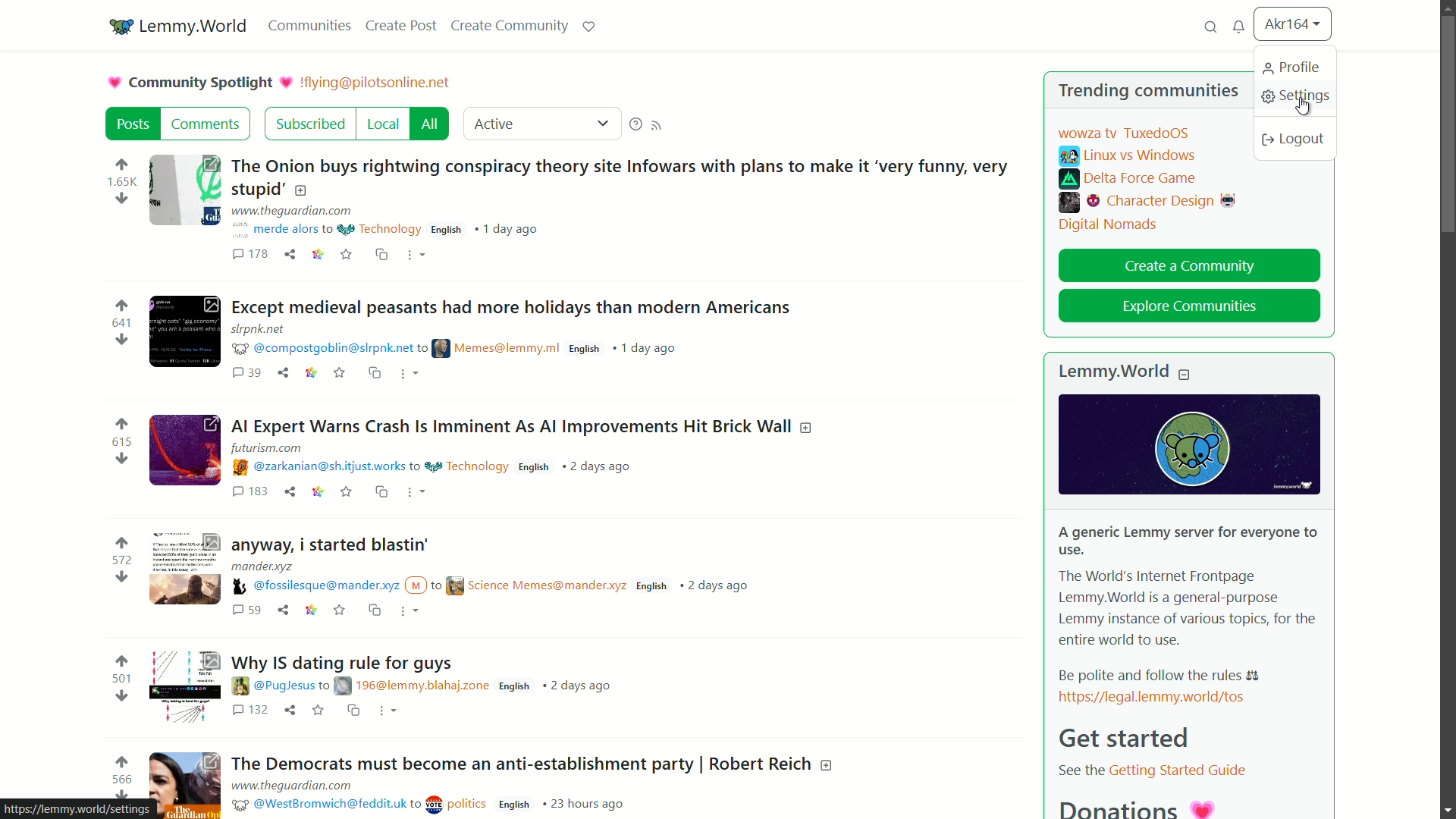 Image resolution: width=1456 pixels, height=819 pixels. Describe the element at coordinates (416, 491) in the screenshot. I see `more` at that location.